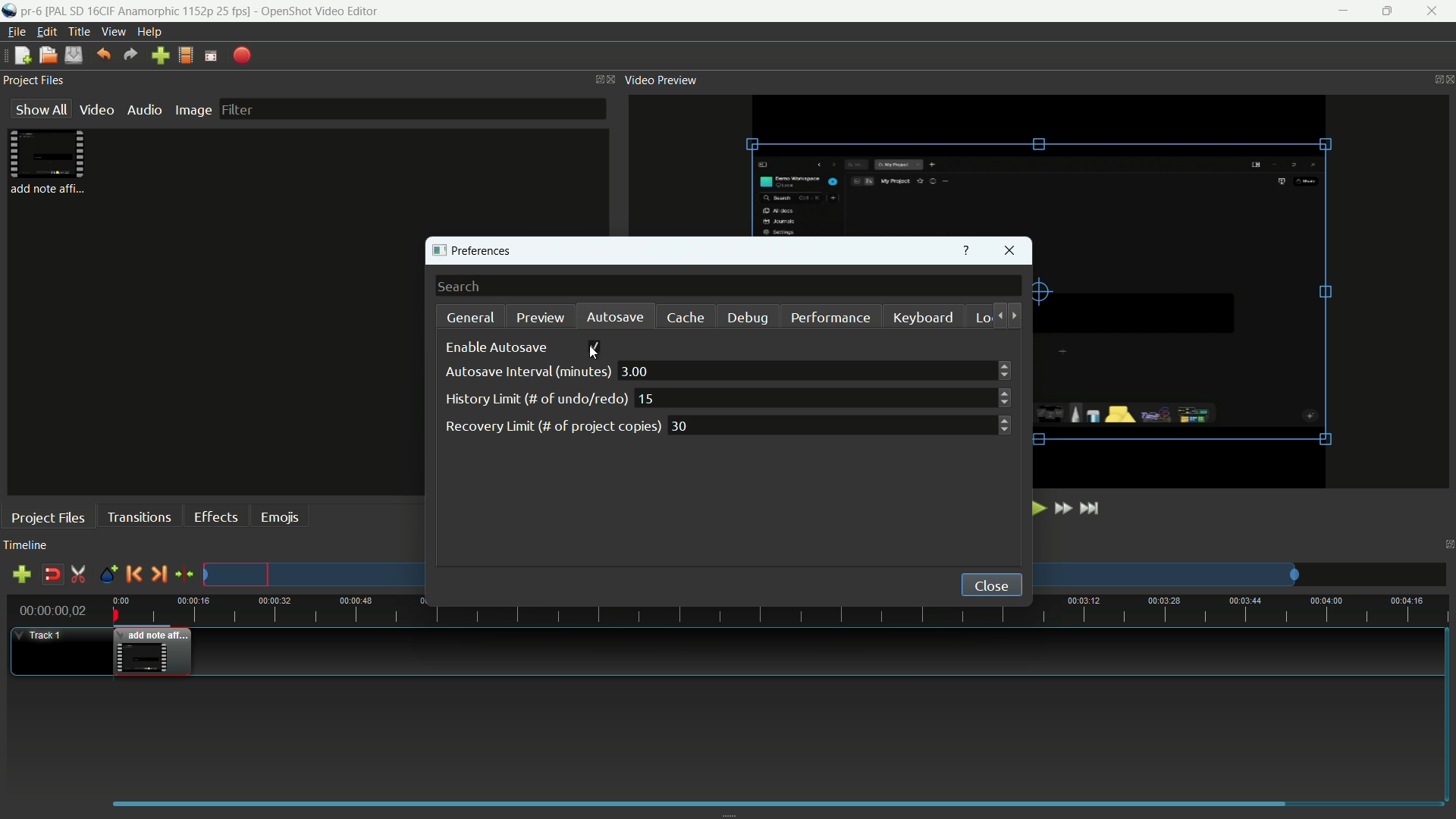  Describe the element at coordinates (133, 574) in the screenshot. I see `previous marker` at that location.